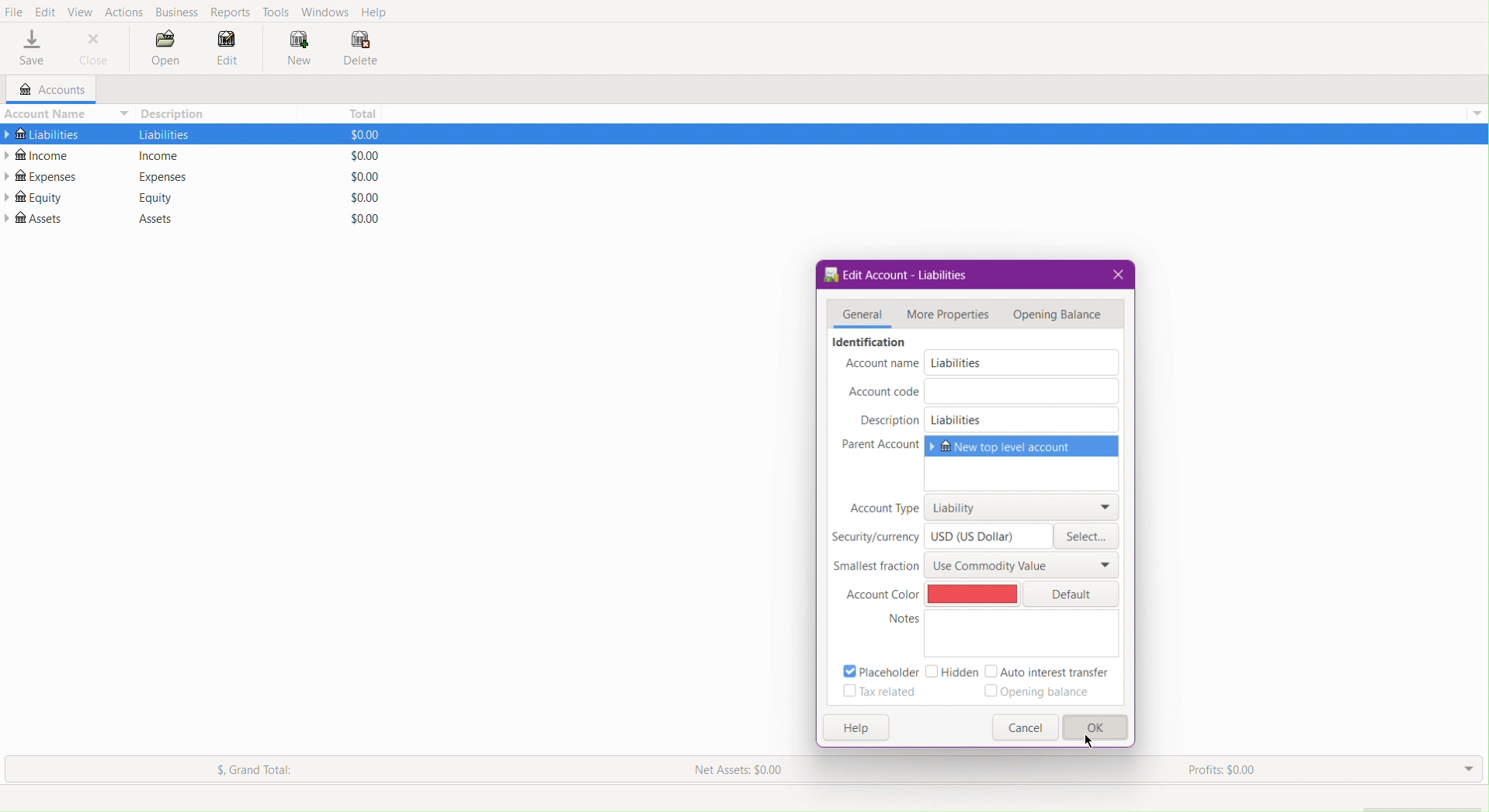 The width and height of the screenshot is (1489, 812). I want to click on Liabilities, so click(955, 362).